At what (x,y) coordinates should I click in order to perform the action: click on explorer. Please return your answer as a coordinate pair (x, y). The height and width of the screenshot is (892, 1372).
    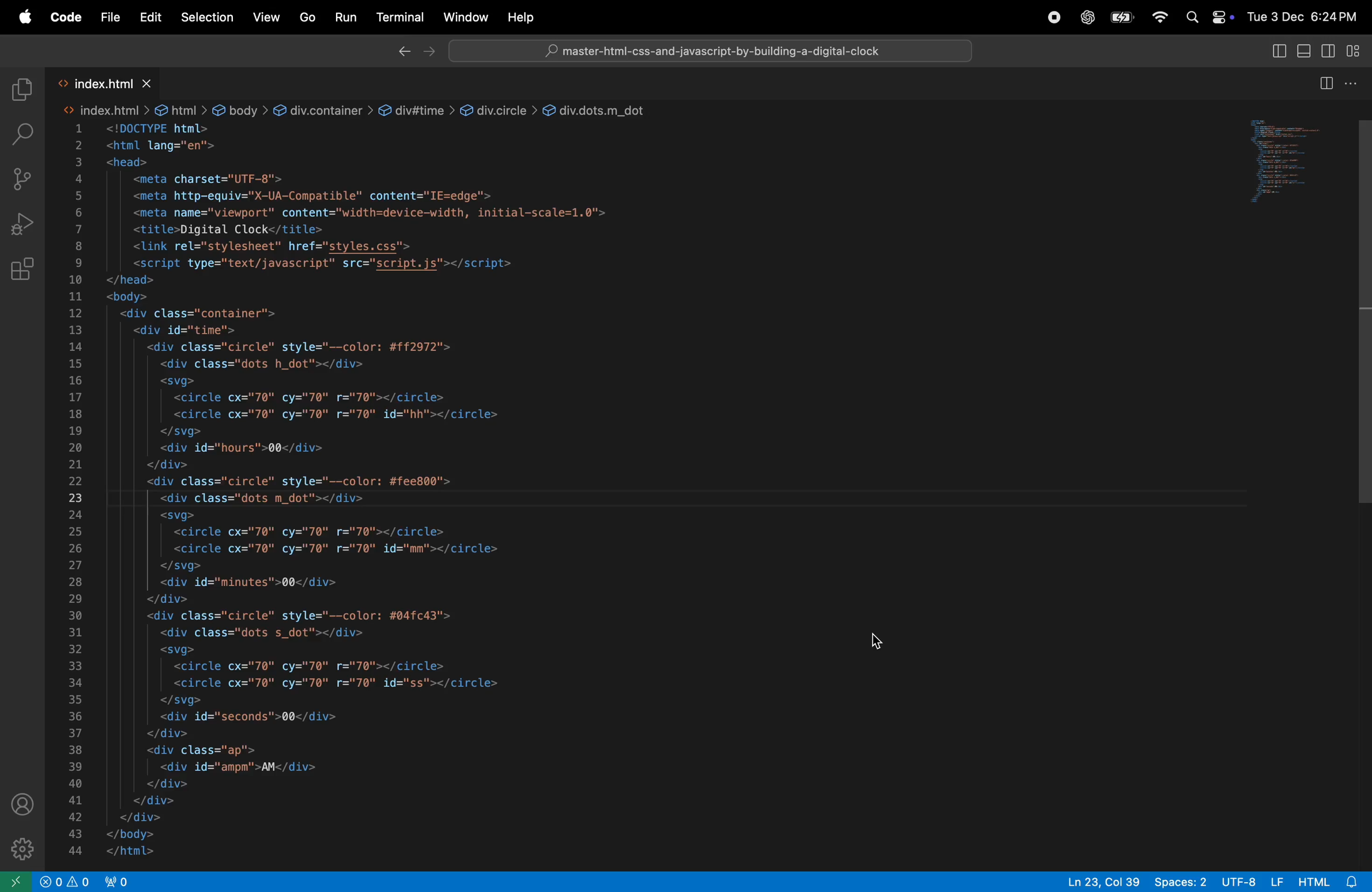
    Looking at the image, I should click on (22, 84).